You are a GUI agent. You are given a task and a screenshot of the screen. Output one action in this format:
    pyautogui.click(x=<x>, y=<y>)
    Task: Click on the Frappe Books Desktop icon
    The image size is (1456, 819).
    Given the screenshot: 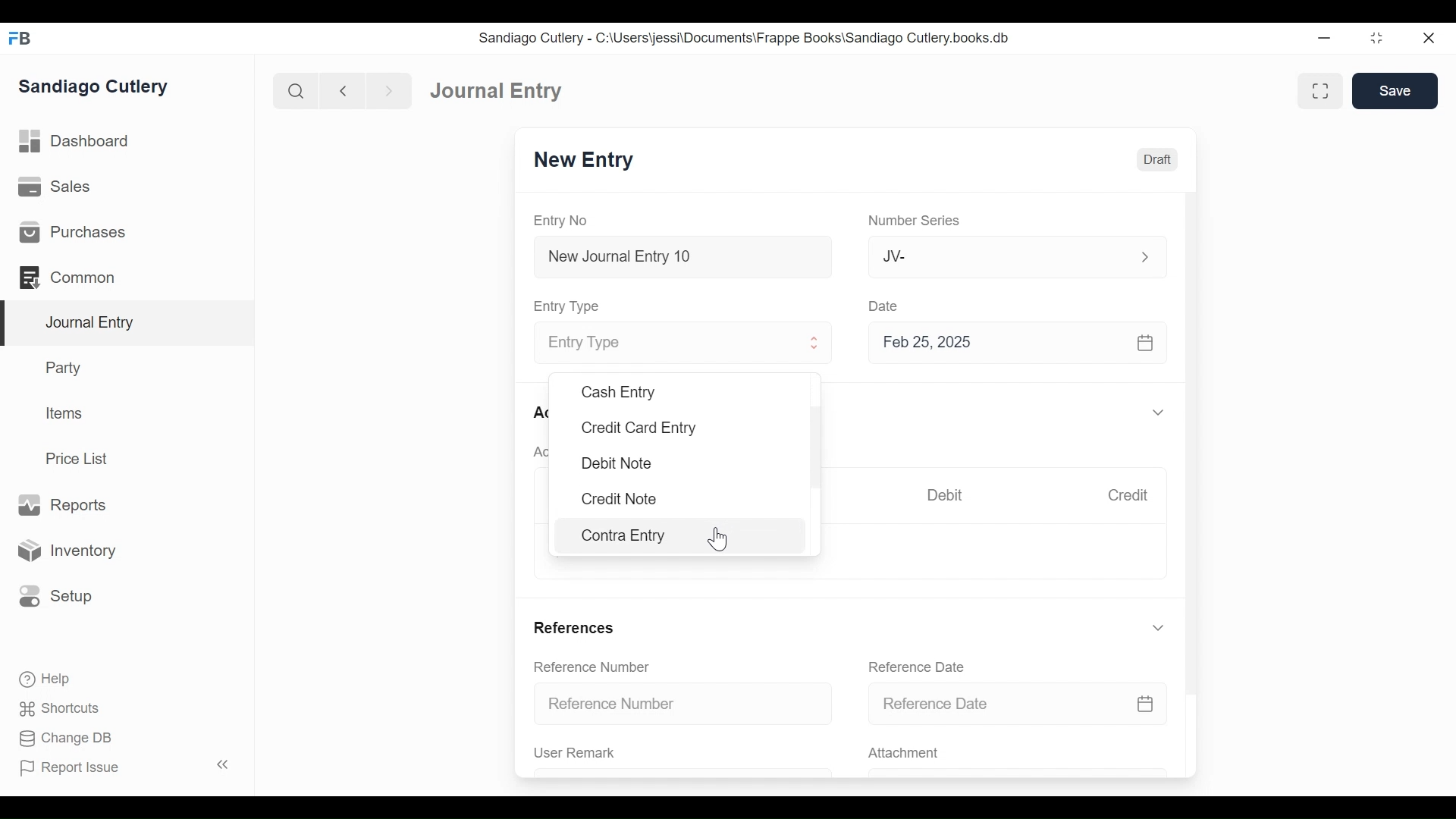 What is the action you would take?
    pyautogui.click(x=19, y=38)
    